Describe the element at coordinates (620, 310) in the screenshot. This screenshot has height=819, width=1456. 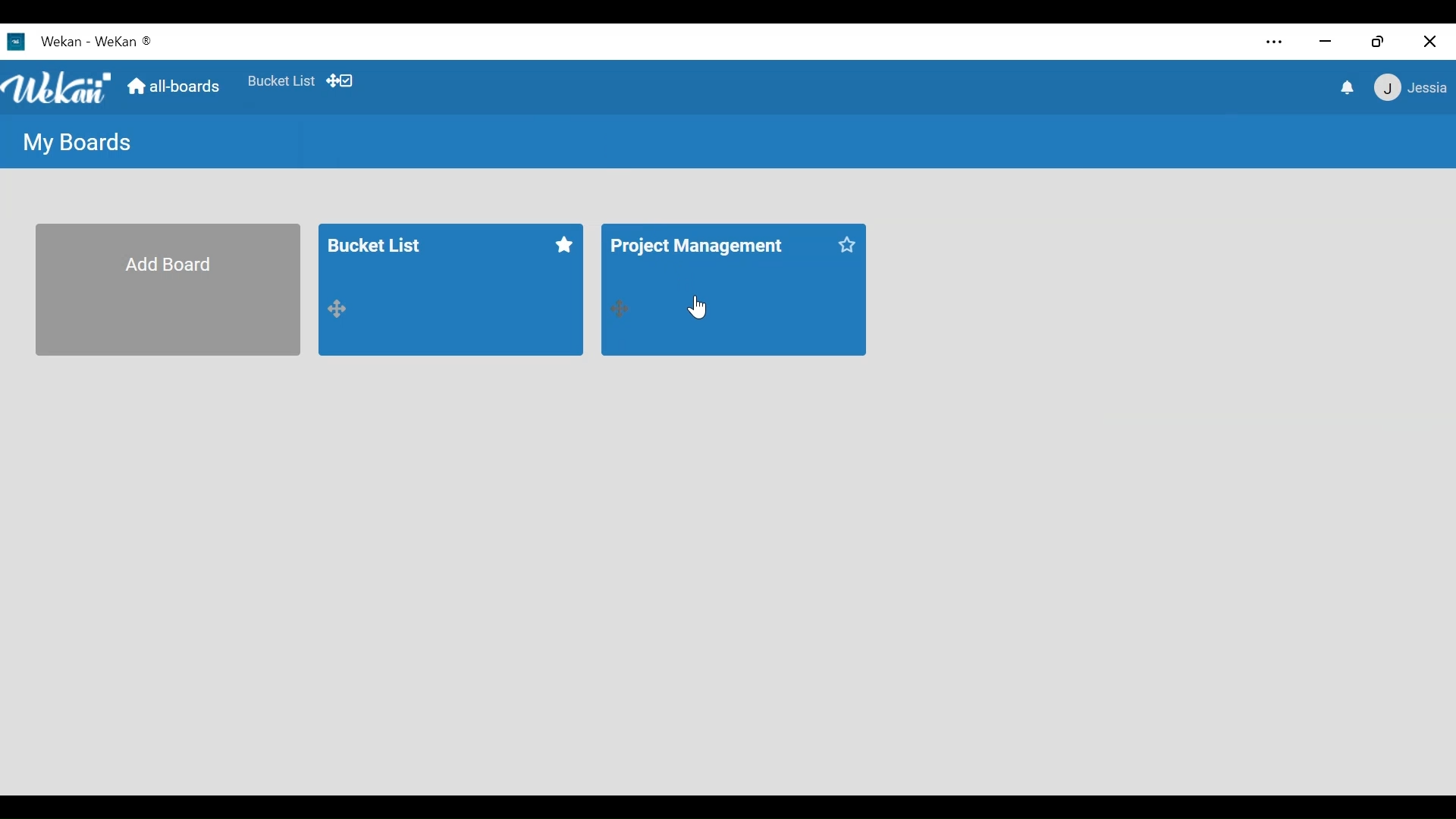
I see `drag` at that location.